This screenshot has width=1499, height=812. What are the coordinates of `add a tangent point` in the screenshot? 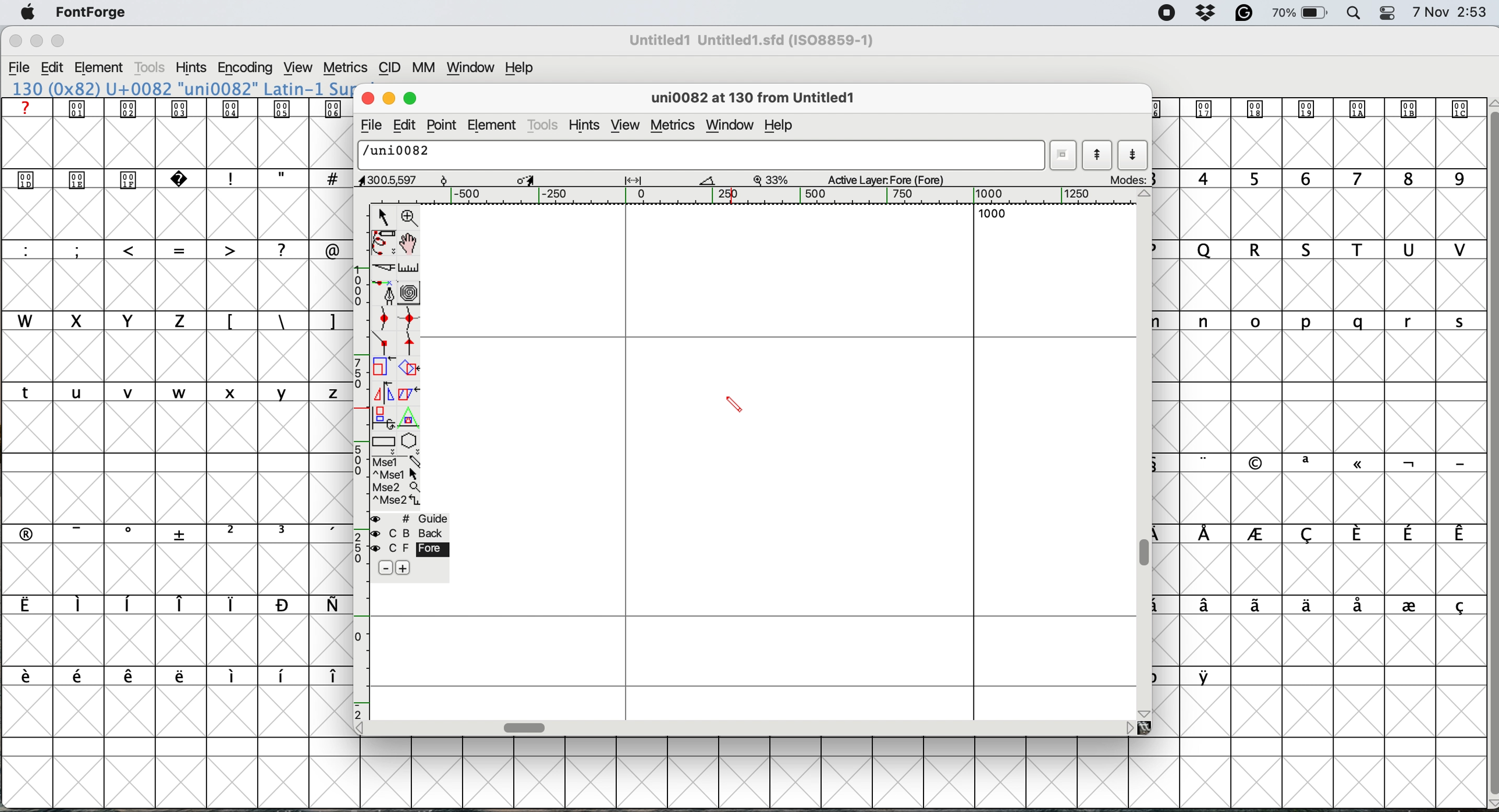 It's located at (411, 346).